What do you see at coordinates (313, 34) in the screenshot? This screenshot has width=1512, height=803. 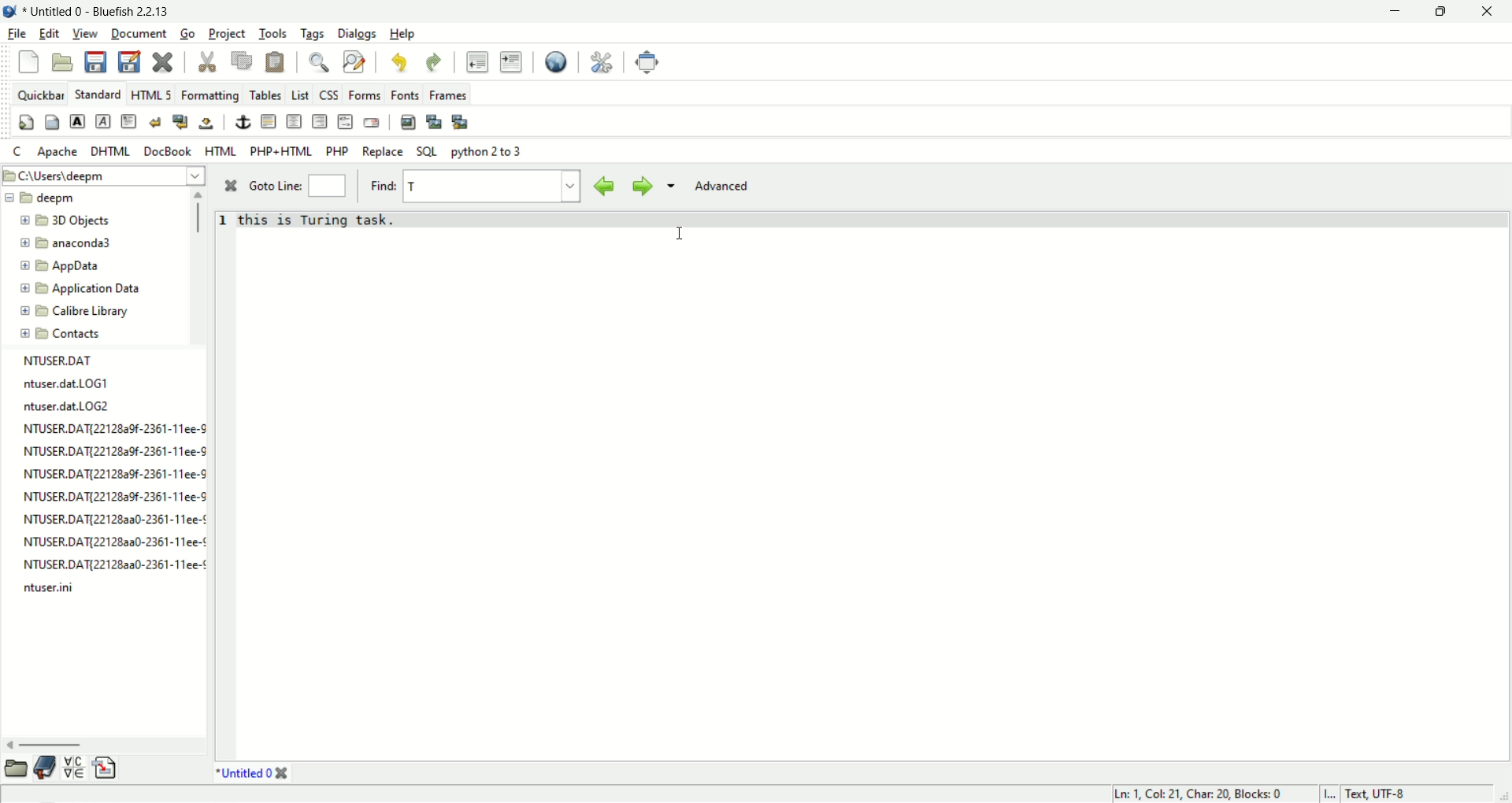 I see `tags` at bounding box center [313, 34].